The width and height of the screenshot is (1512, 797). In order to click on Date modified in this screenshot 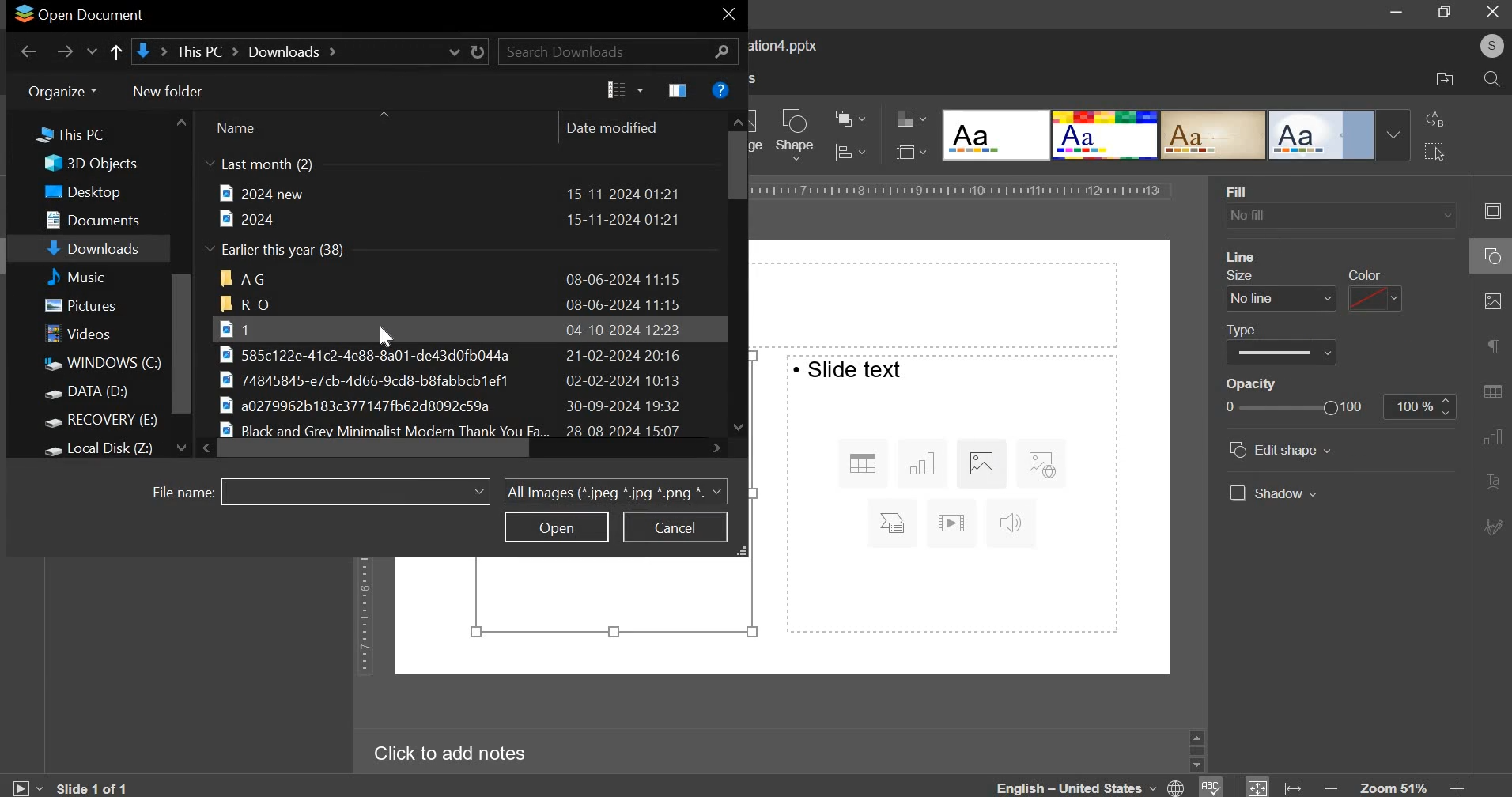, I will do `click(610, 127)`.